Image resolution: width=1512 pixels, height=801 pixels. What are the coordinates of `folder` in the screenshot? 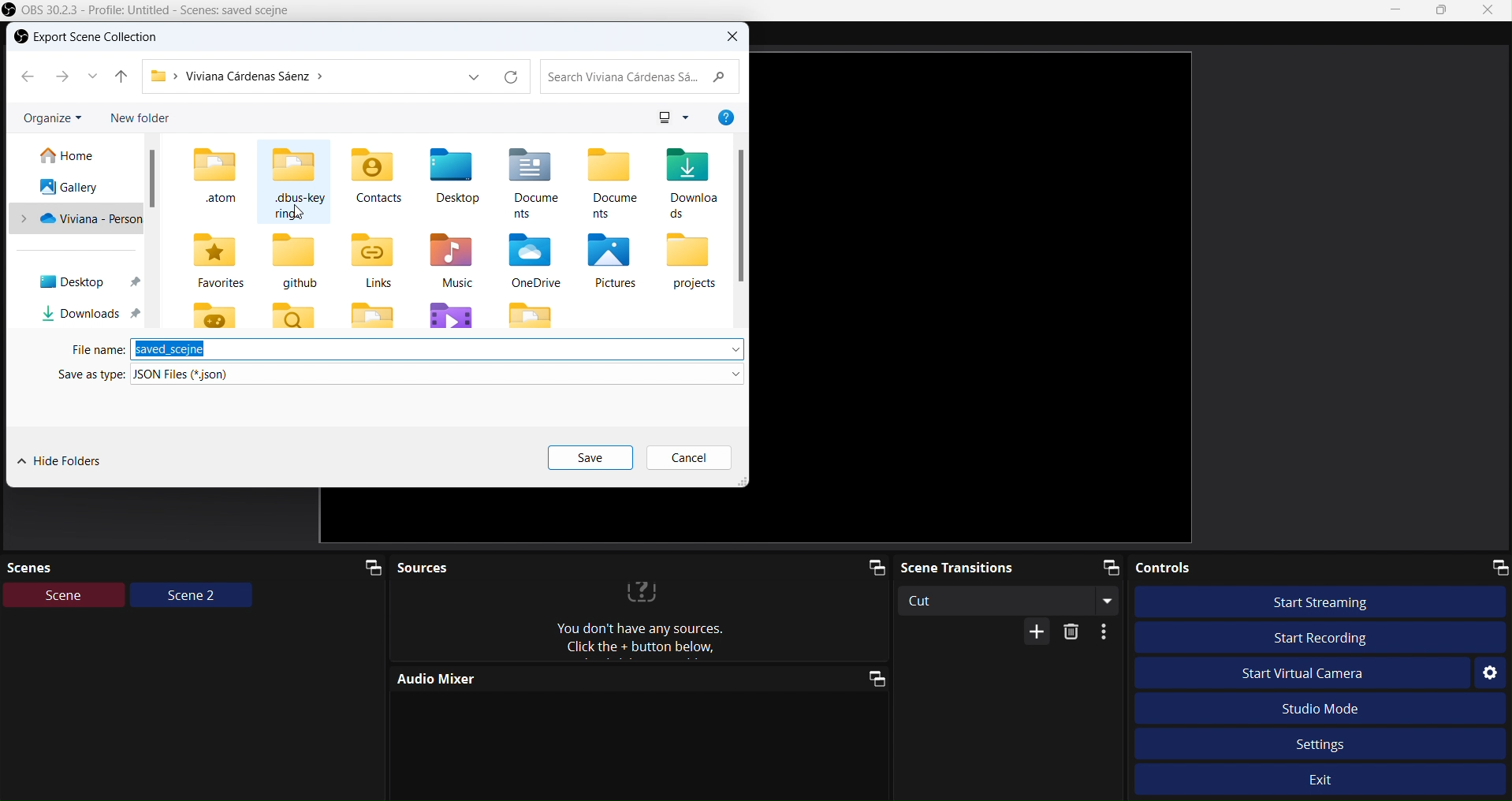 It's located at (451, 313).